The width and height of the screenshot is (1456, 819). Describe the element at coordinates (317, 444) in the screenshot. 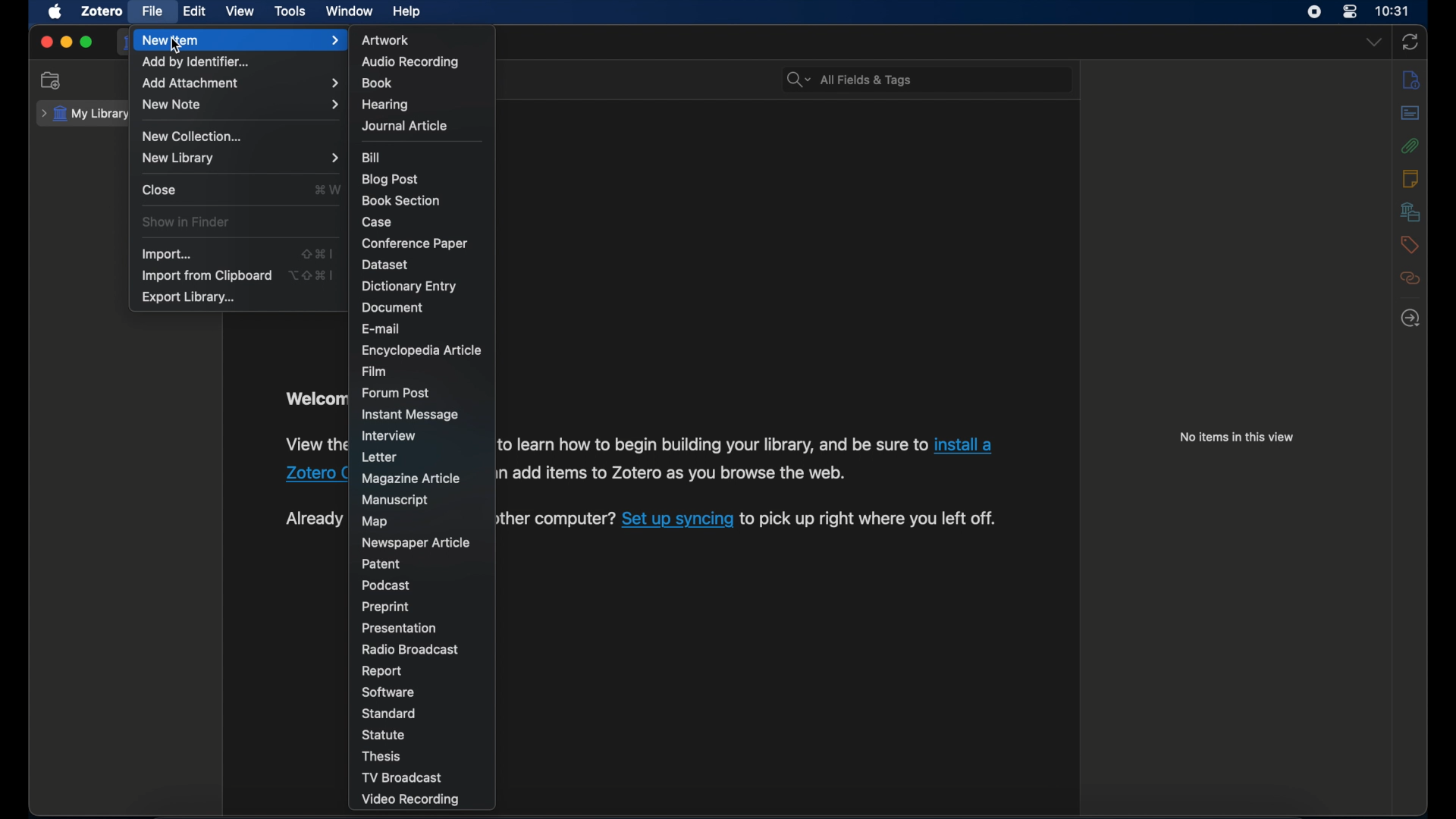

I see `` at that location.